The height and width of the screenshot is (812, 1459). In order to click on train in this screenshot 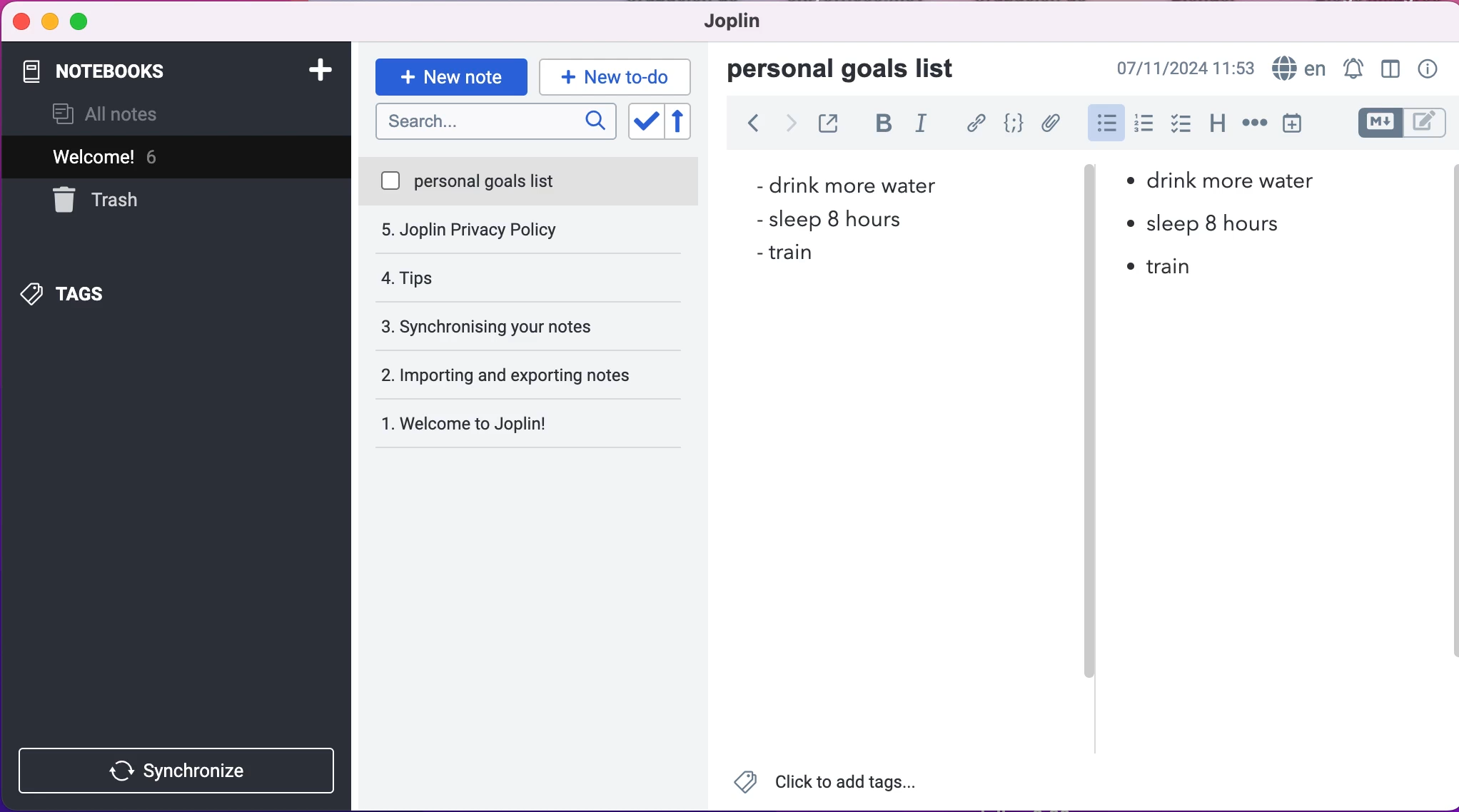, I will do `click(788, 253)`.